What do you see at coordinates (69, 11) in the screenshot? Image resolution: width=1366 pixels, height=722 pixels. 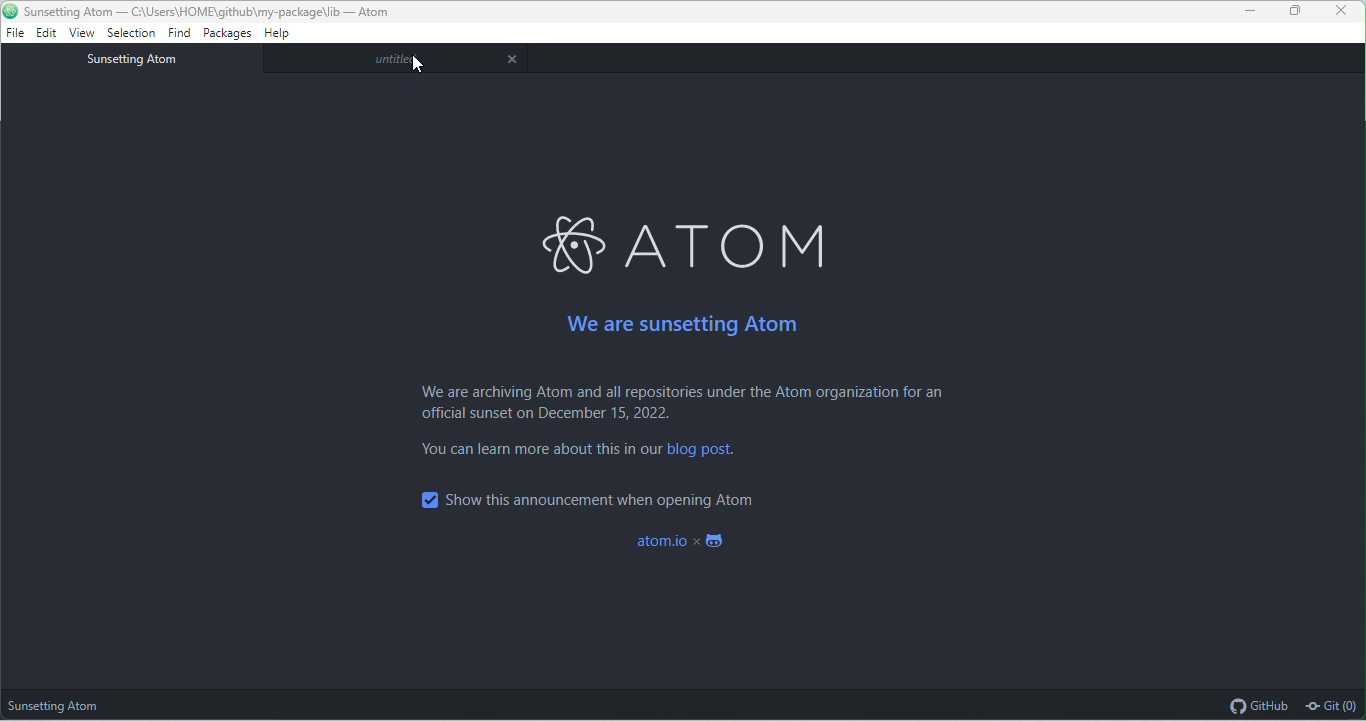 I see `Project Title` at bounding box center [69, 11].